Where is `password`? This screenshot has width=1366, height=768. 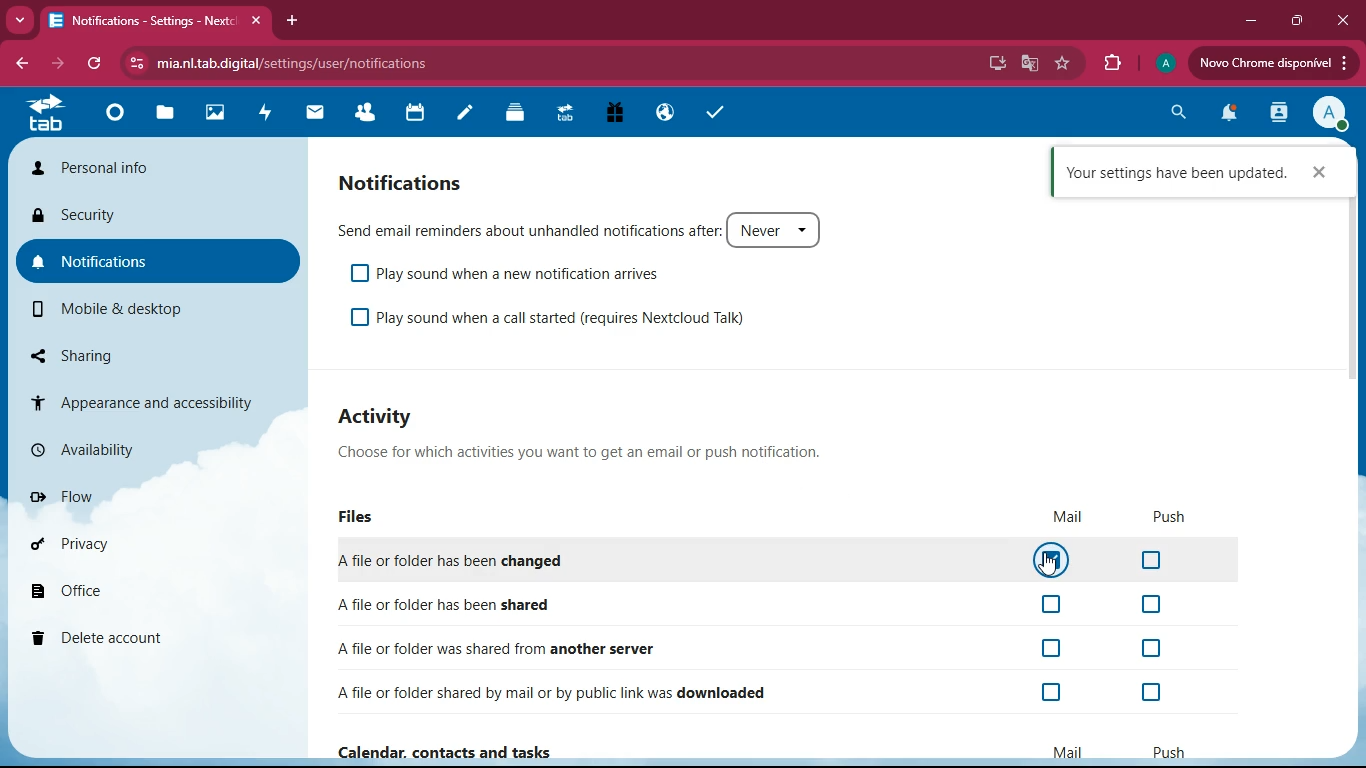 password is located at coordinates (968, 65).